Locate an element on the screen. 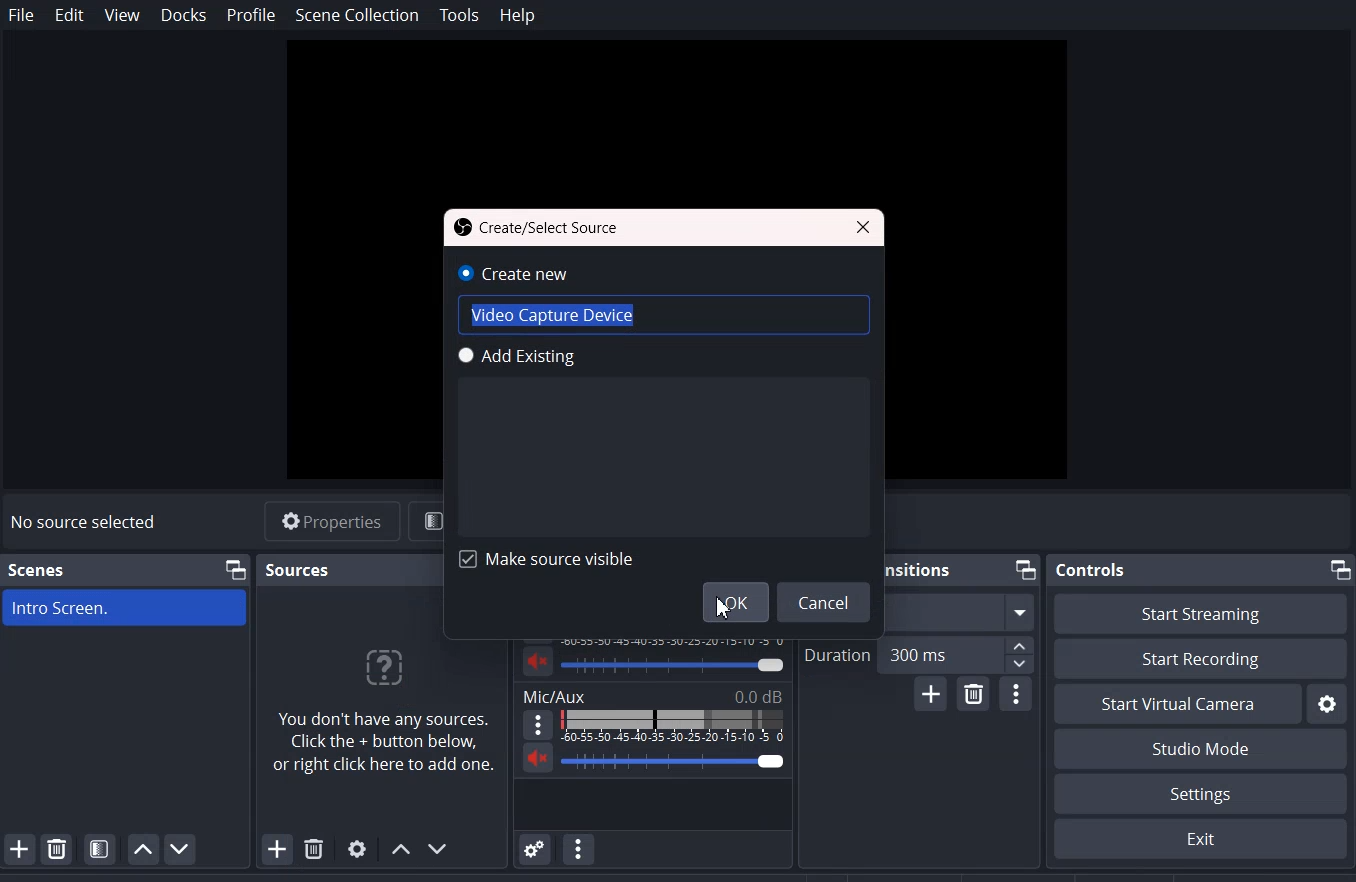 The height and width of the screenshot is (882, 1356). More is located at coordinates (534, 724).